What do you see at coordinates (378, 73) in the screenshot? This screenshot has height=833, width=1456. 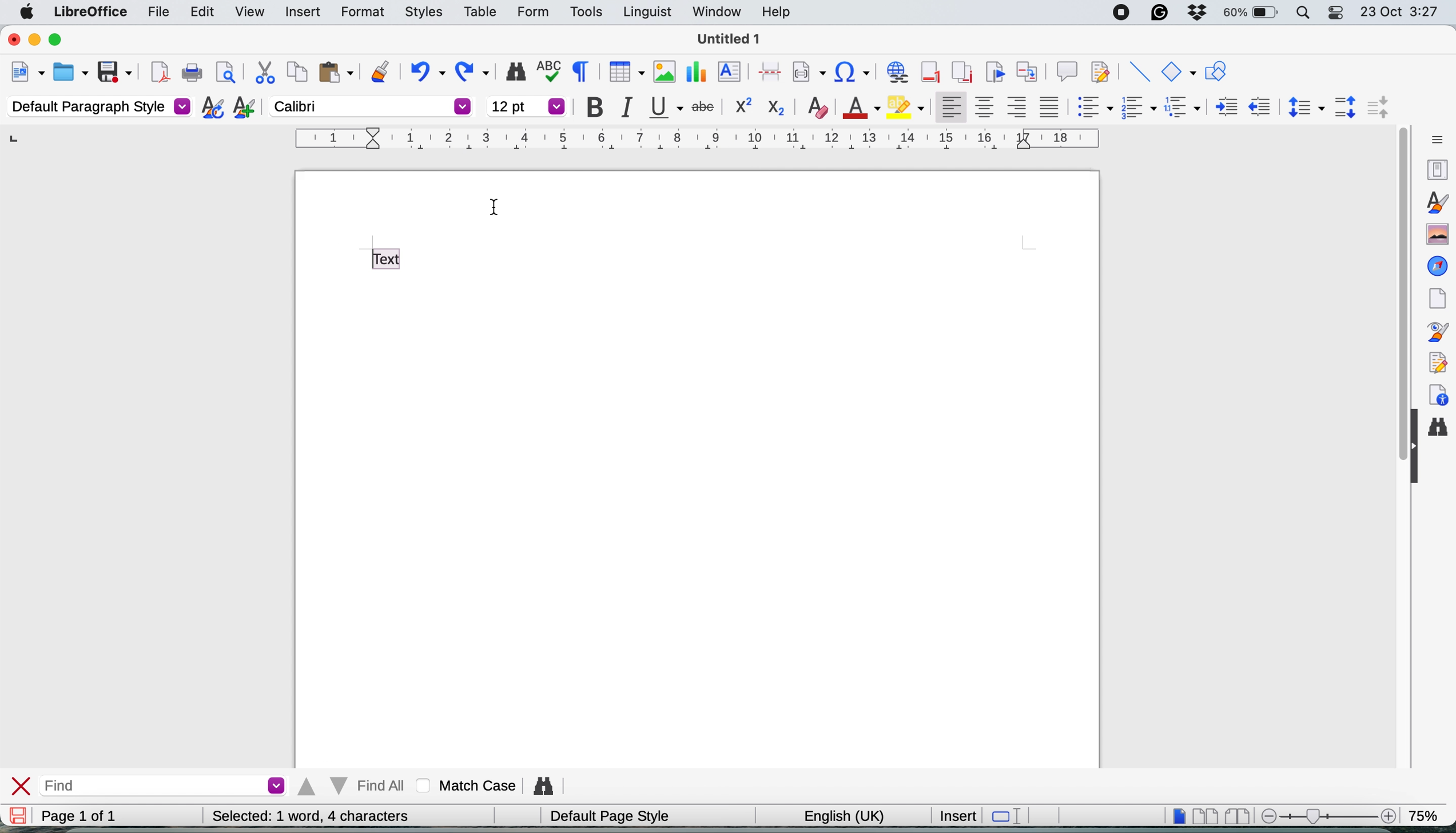 I see `clone formatting` at bounding box center [378, 73].